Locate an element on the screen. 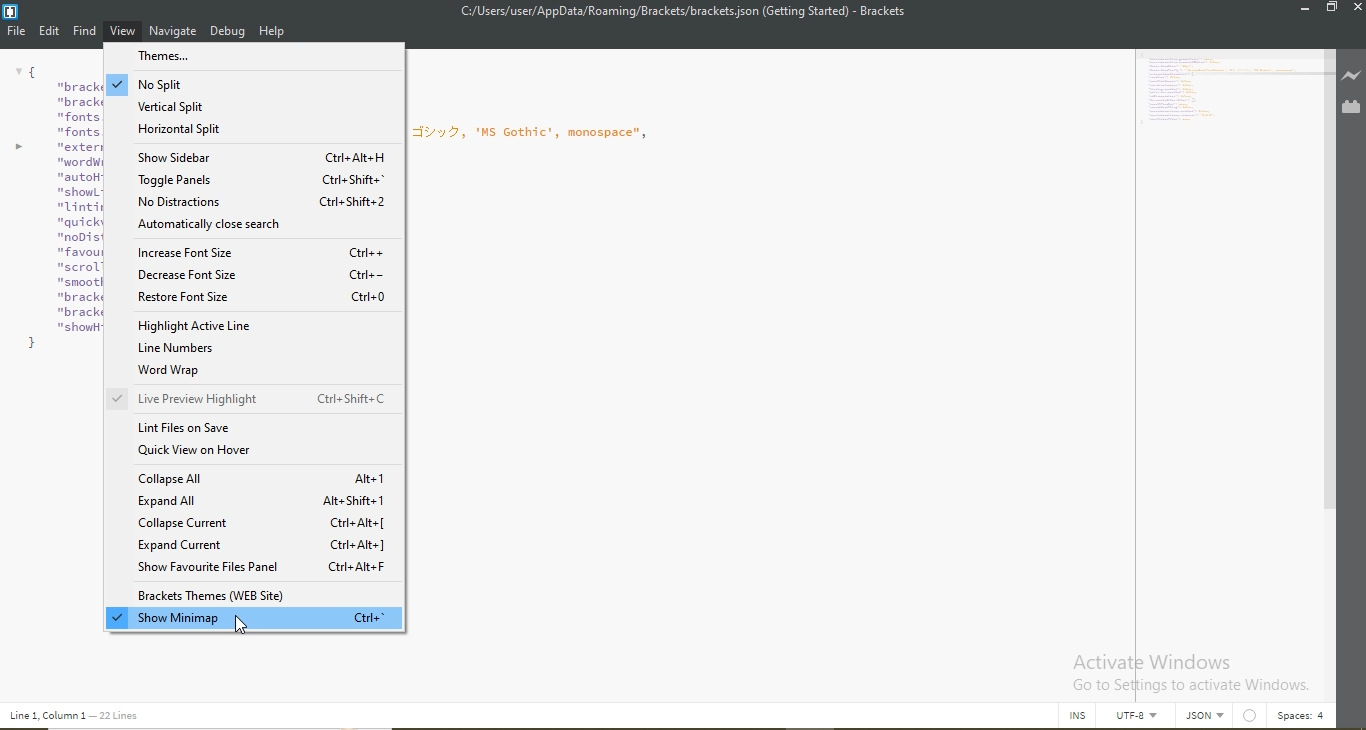  highlight active line is located at coordinates (254, 328).